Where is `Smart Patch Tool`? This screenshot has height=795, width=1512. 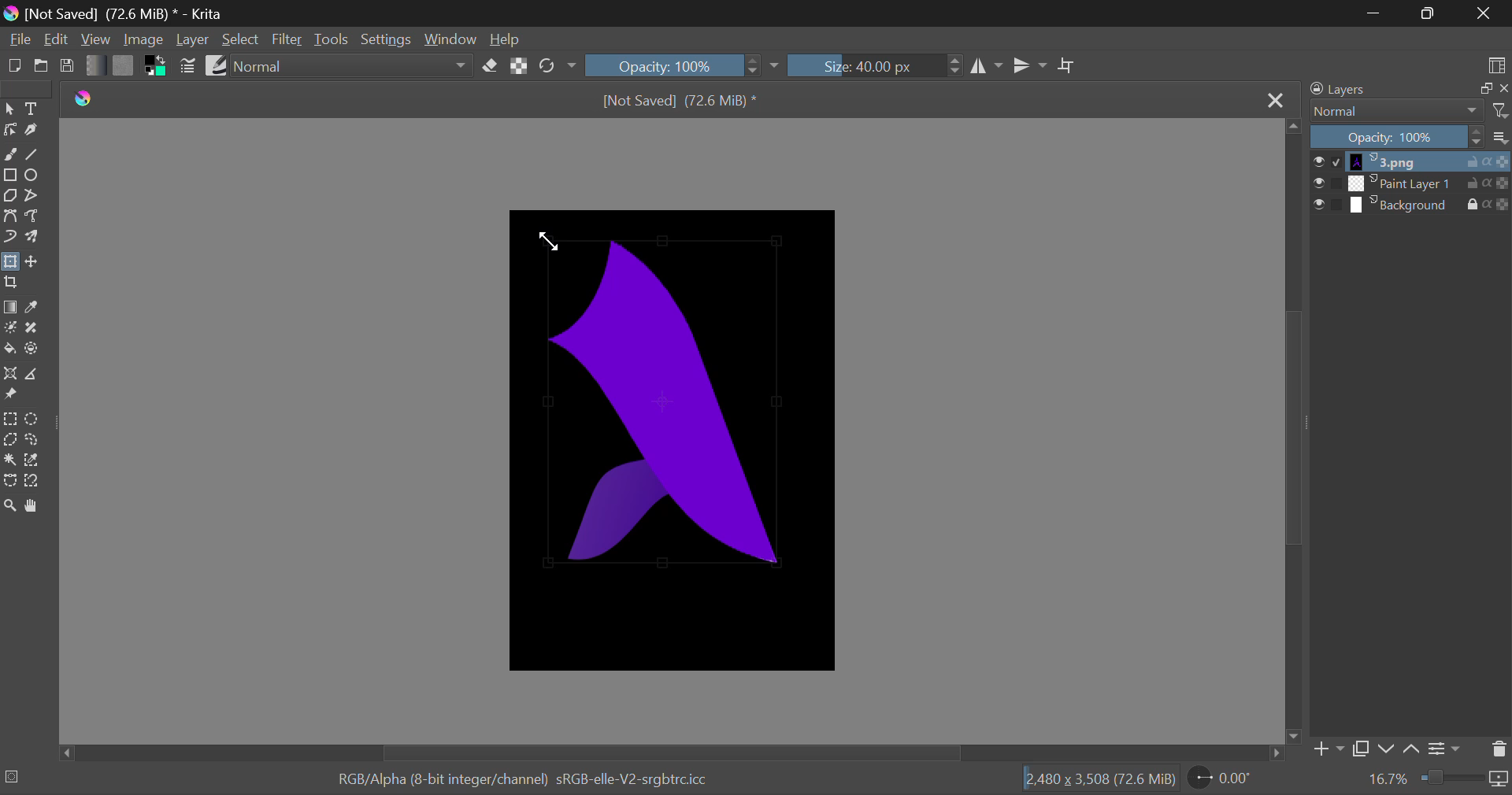
Smart Patch Tool is located at coordinates (36, 328).